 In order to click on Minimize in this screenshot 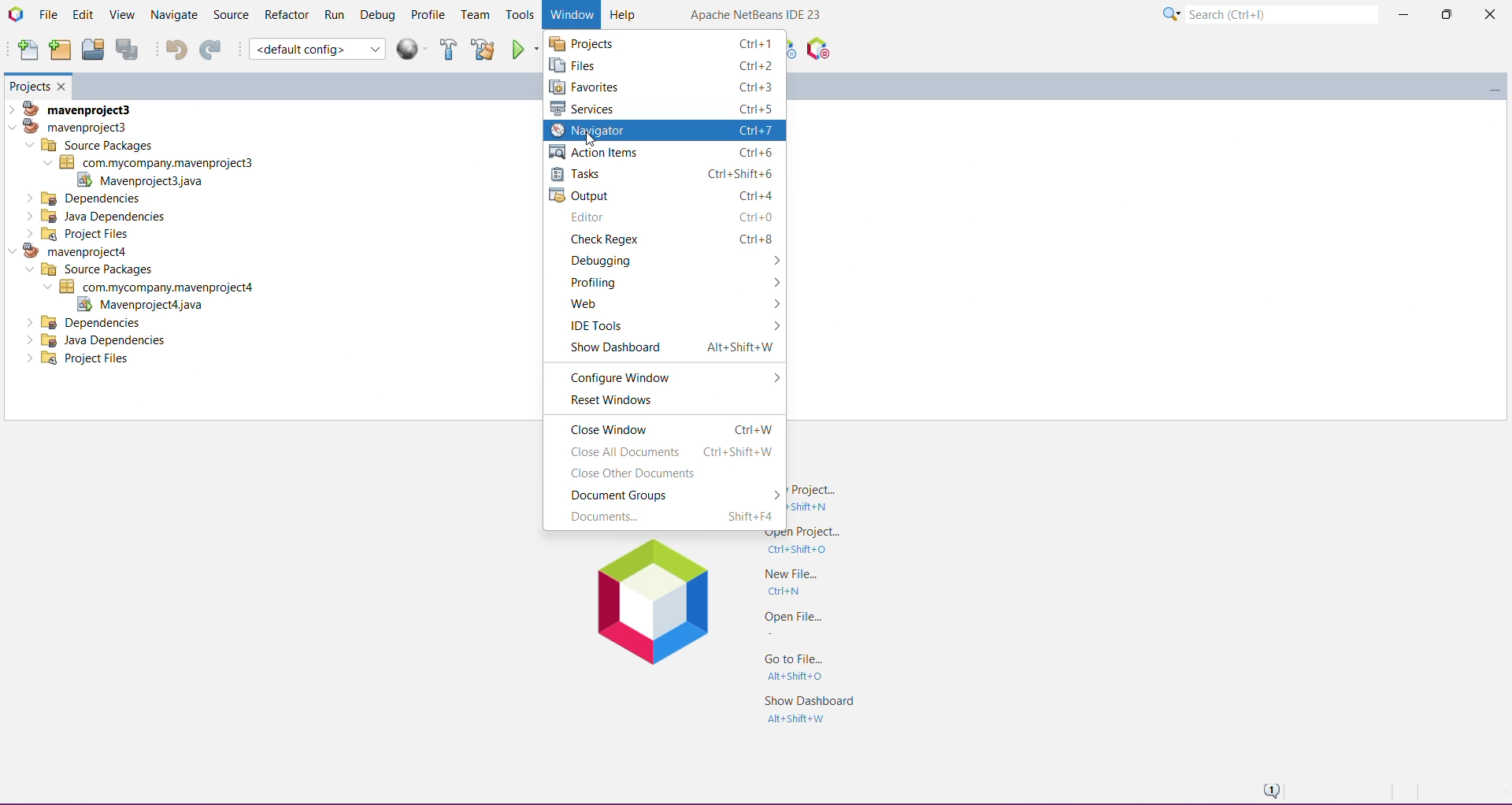, I will do `click(1403, 16)`.